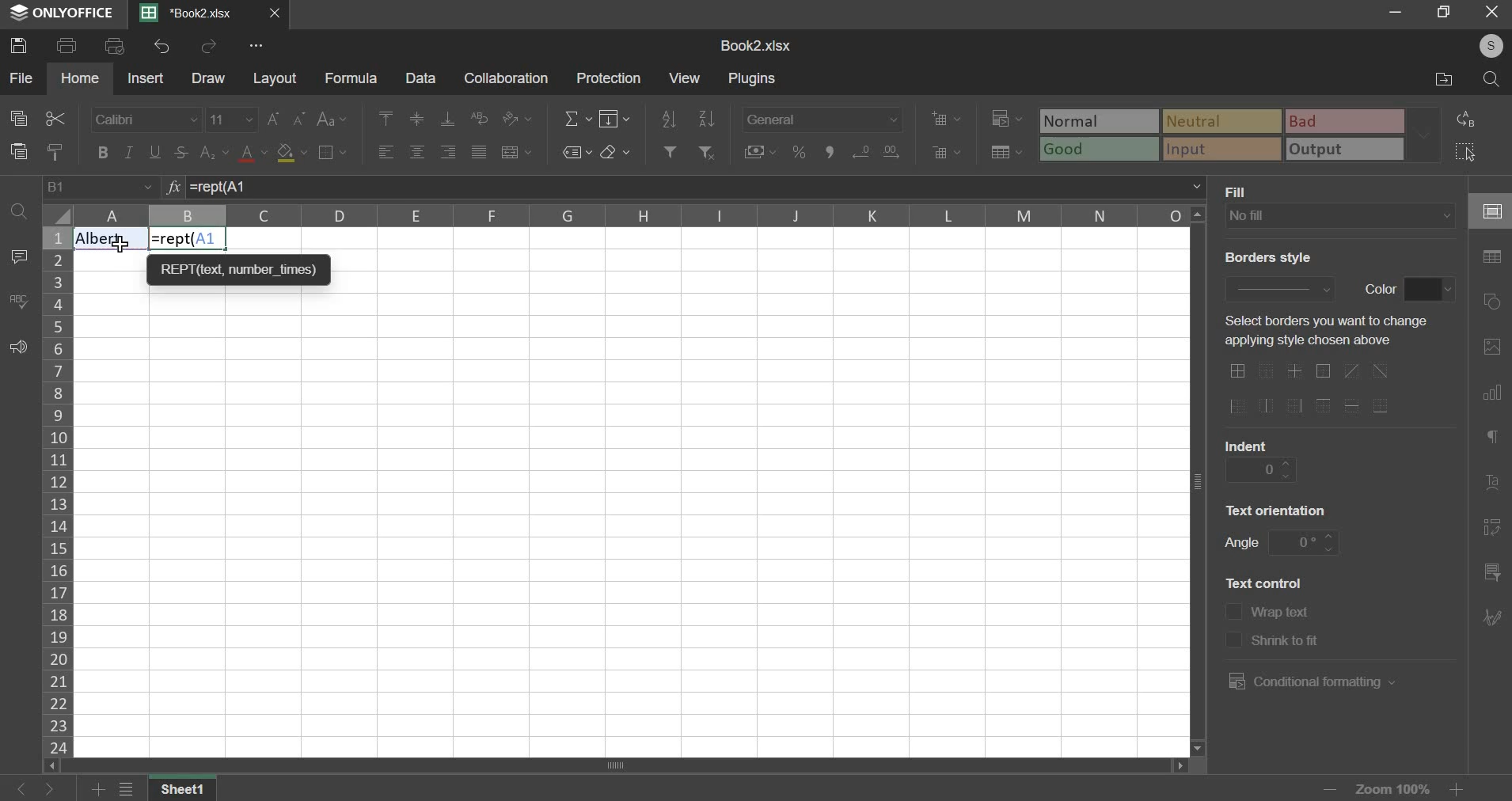  Describe the element at coordinates (620, 767) in the screenshot. I see `scroll bar` at that location.